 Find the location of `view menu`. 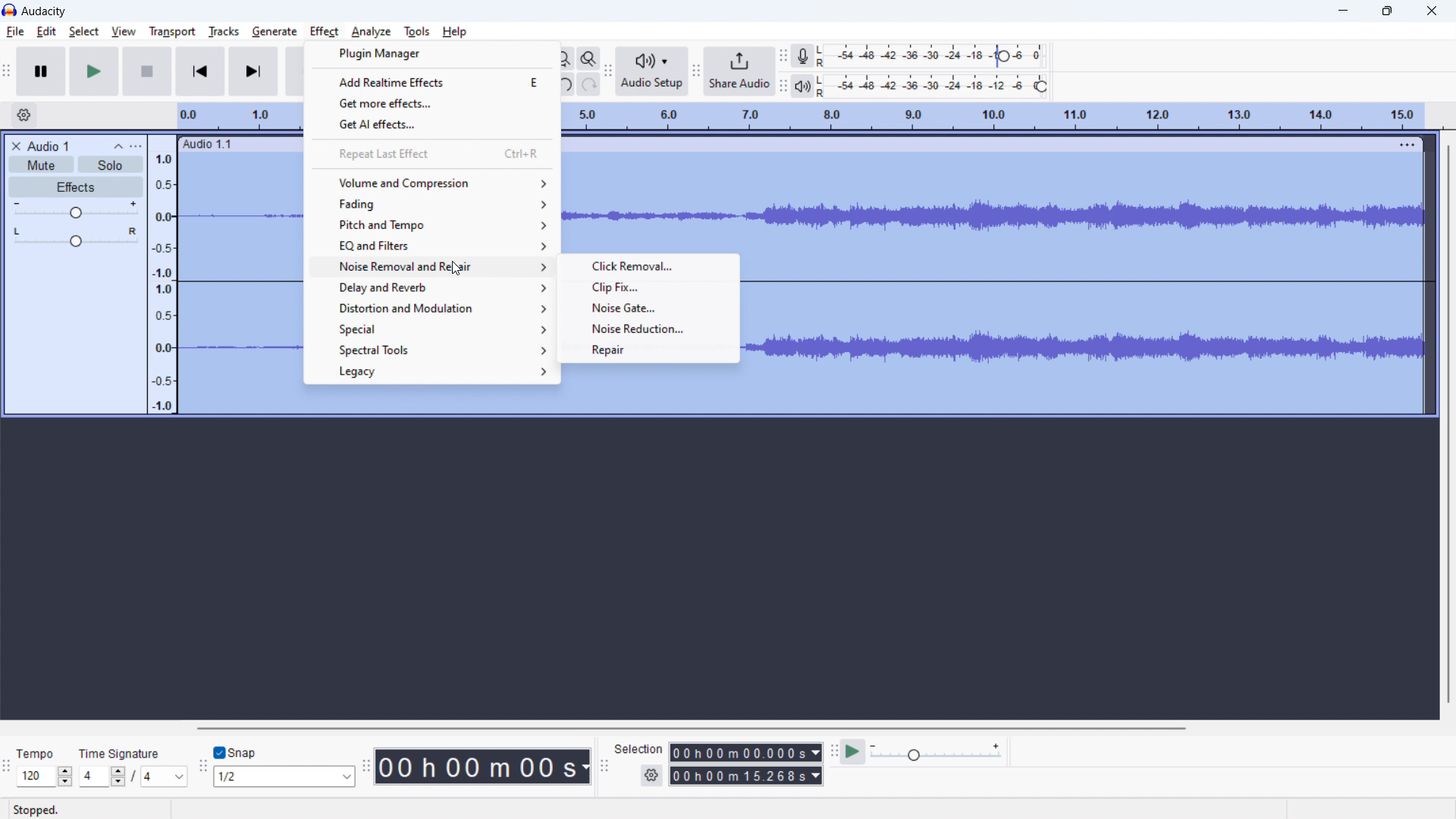

view menu is located at coordinates (137, 146).